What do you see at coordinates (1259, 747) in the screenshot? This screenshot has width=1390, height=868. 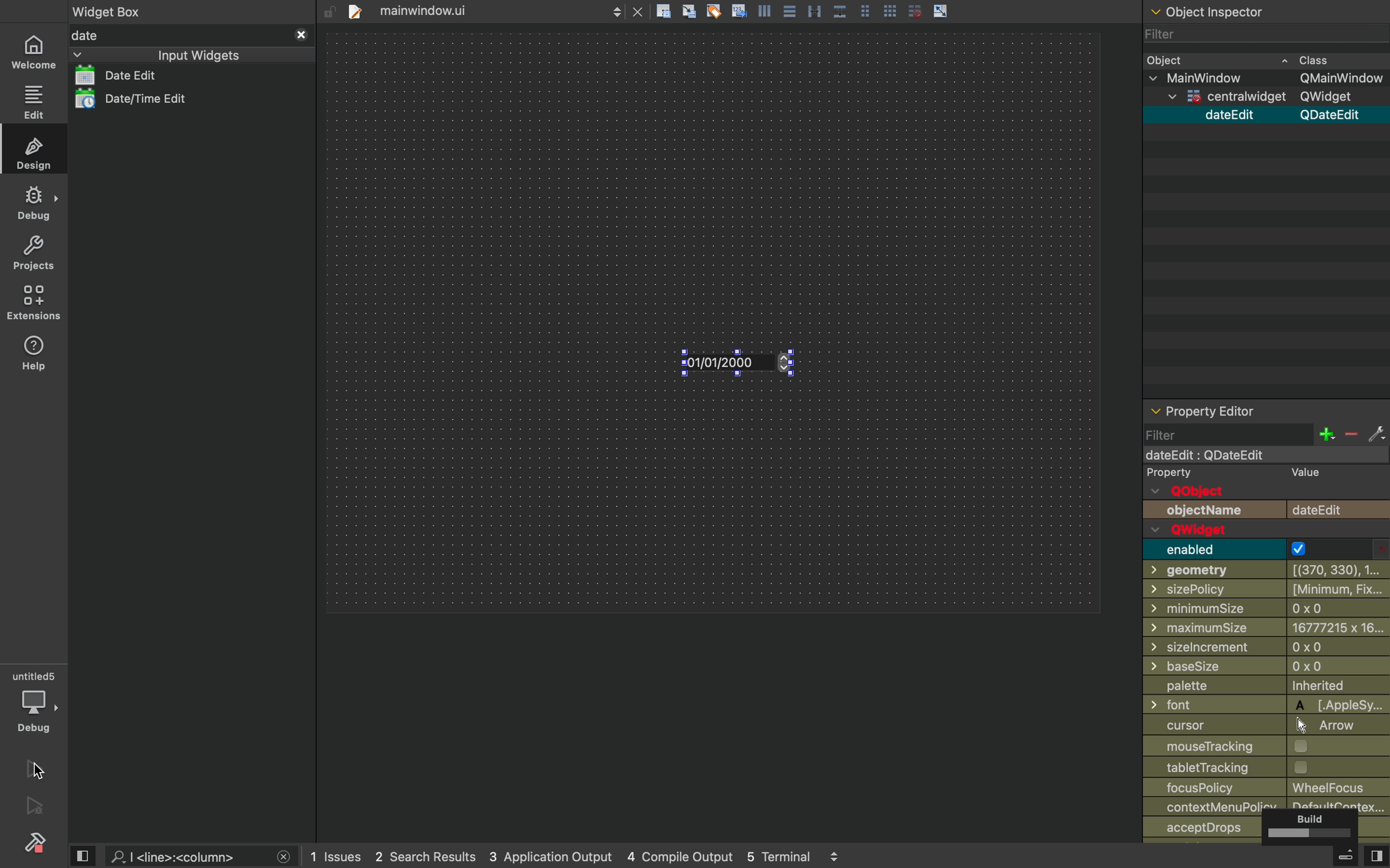 I see `mousetrtacking` at bounding box center [1259, 747].